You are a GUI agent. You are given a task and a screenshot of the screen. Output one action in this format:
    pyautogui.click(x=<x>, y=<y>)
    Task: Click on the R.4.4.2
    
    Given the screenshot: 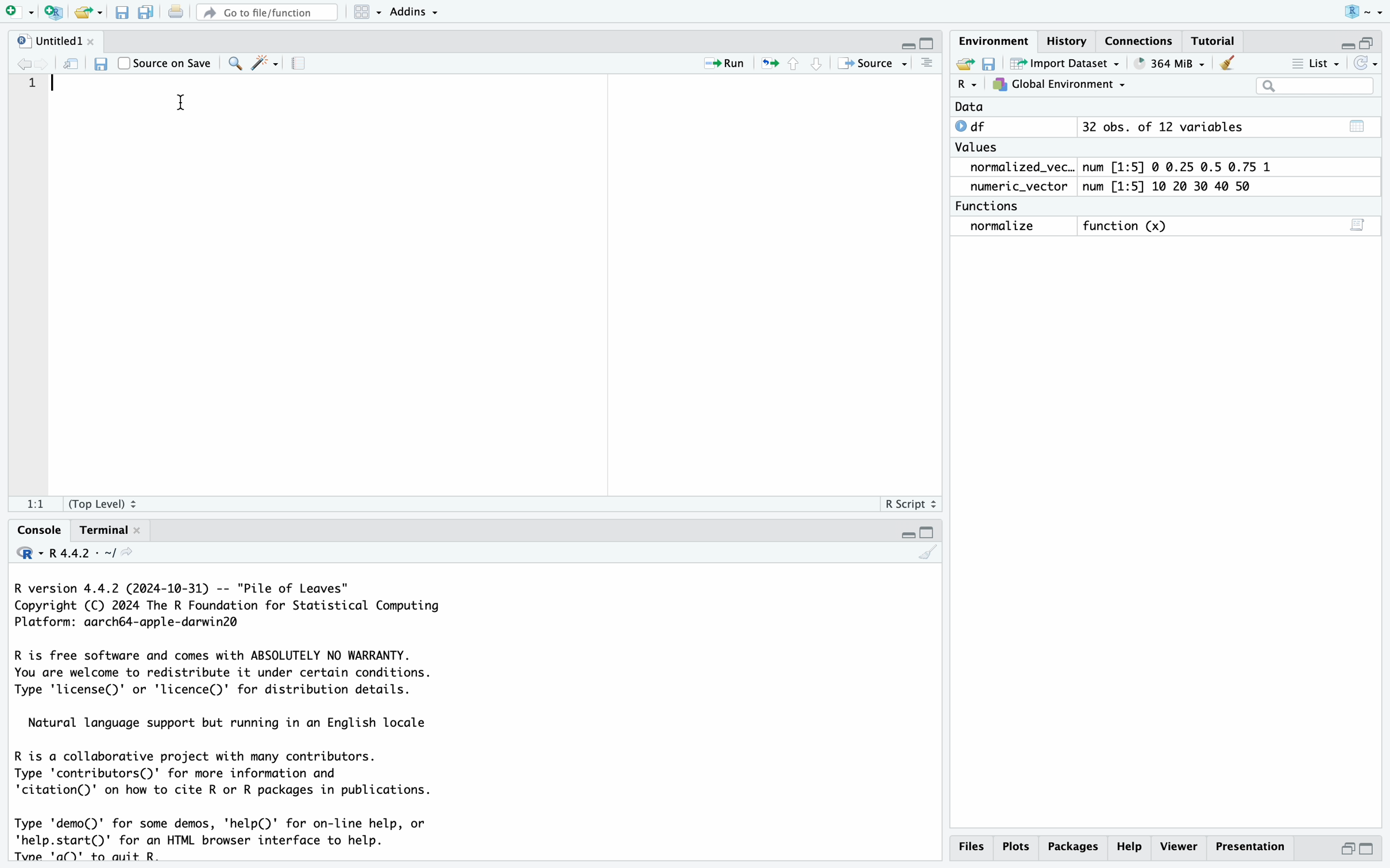 What is the action you would take?
    pyautogui.click(x=75, y=553)
    